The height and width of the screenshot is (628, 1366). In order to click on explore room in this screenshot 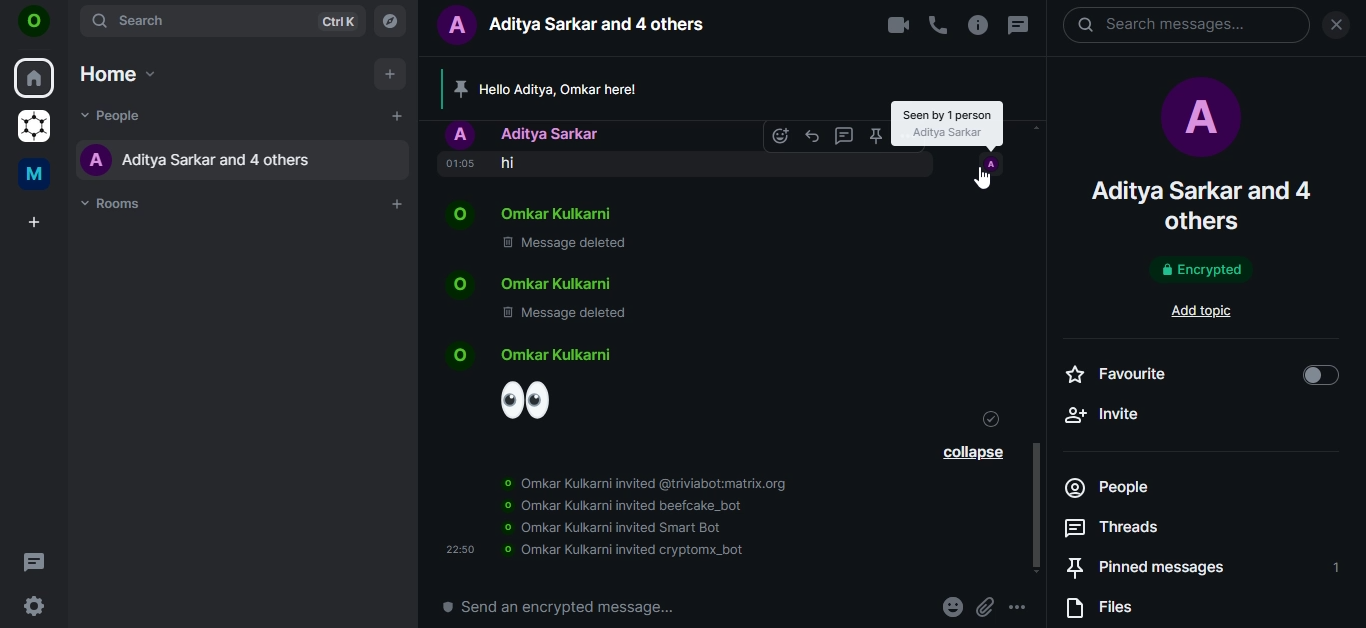, I will do `click(393, 20)`.